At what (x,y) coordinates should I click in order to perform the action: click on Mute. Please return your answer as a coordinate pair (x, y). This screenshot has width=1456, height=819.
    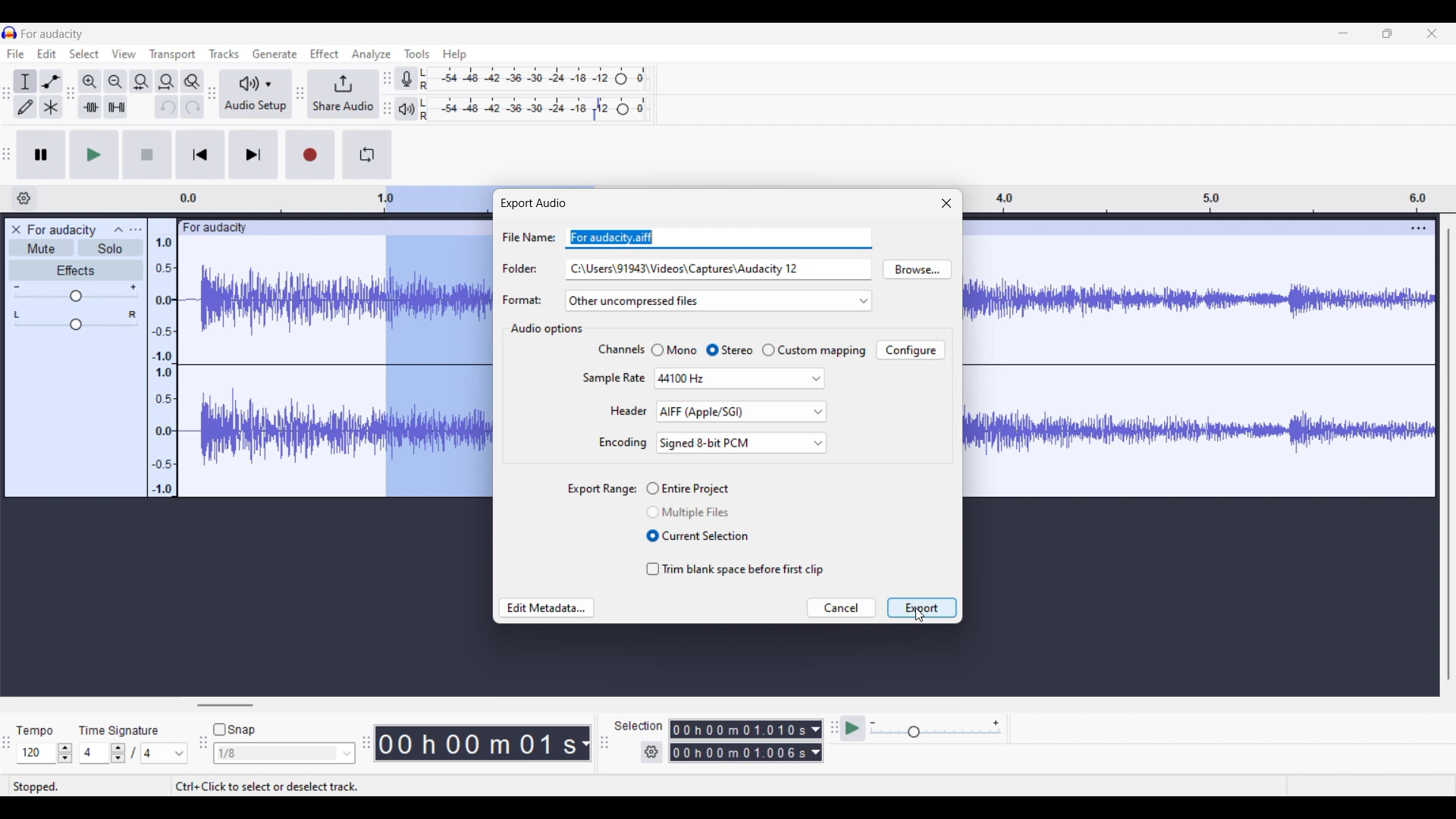
    Looking at the image, I should click on (42, 248).